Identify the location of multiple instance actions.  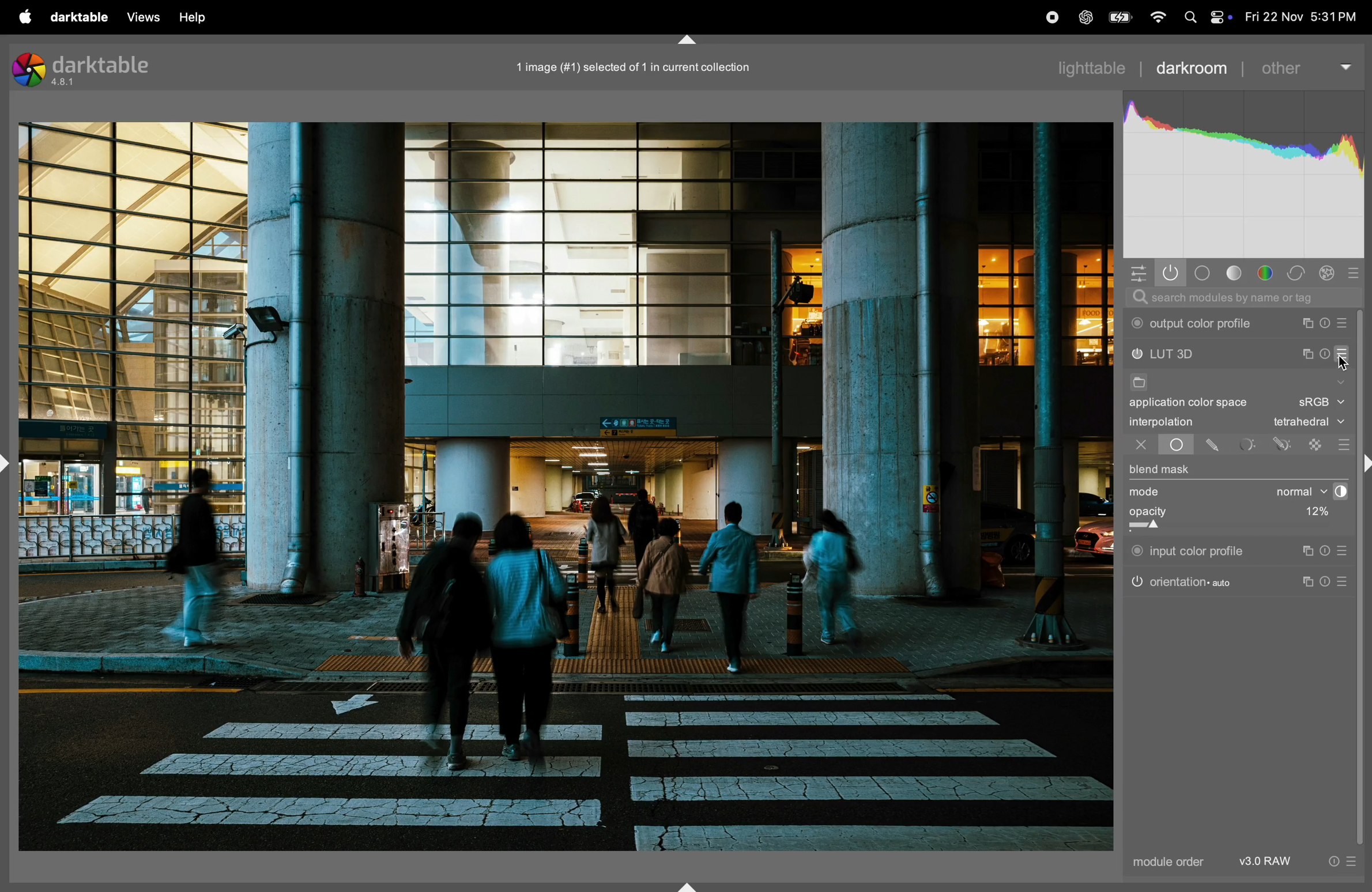
(1307, 354).